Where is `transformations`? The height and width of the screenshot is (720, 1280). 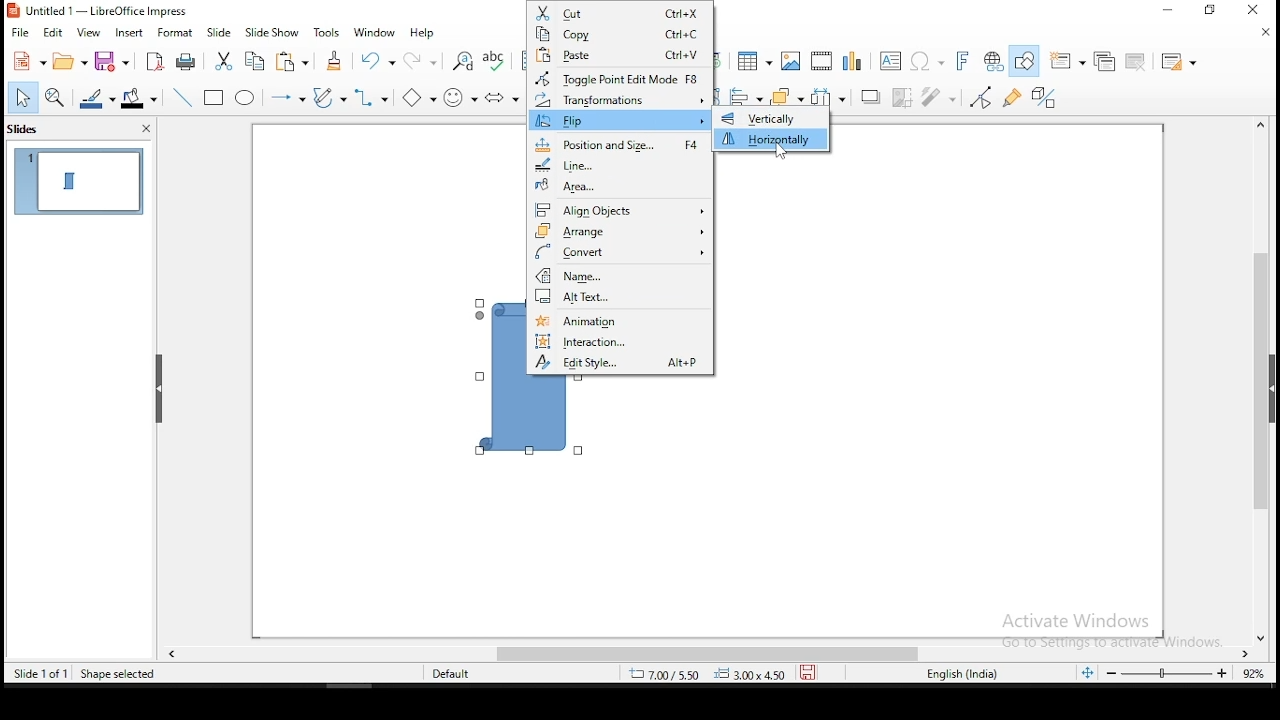
transformations is located at coordinates (618, 99).